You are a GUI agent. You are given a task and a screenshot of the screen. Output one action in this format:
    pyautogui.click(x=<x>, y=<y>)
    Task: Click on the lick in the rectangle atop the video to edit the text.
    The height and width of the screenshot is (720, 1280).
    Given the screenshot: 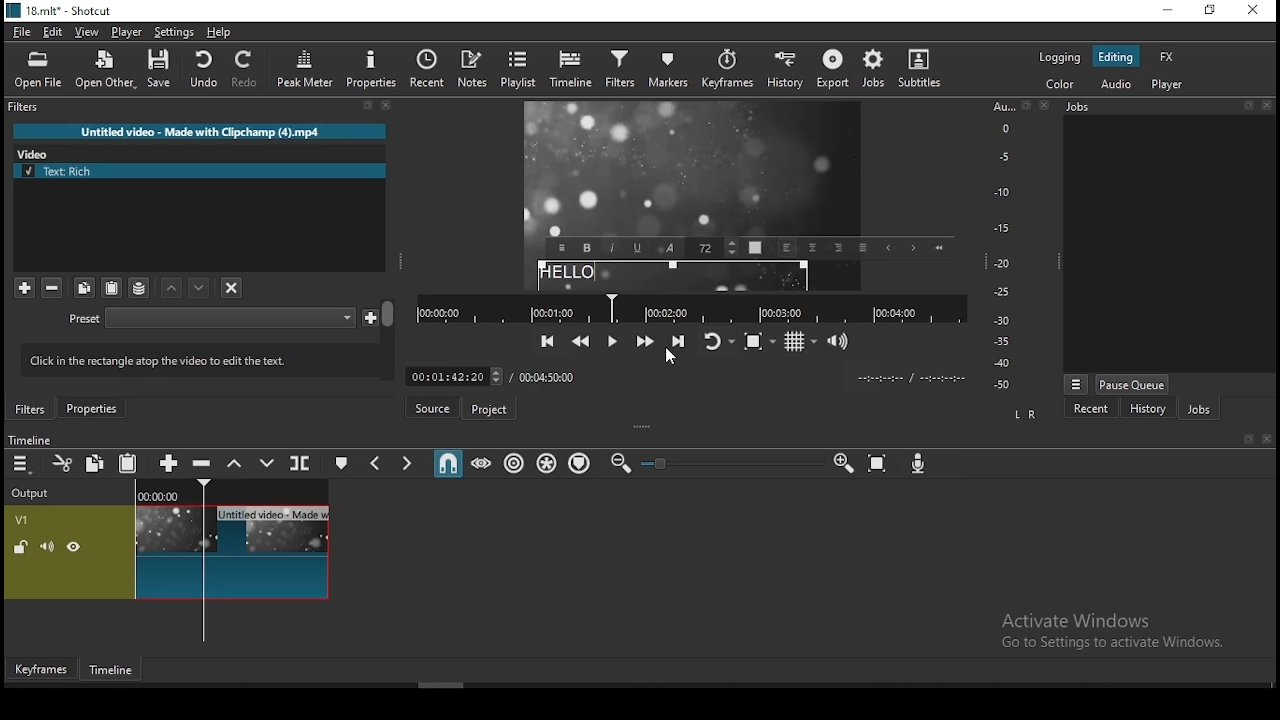 What is the action you would take?
    pyautogui.click(x=191, y=358)
    